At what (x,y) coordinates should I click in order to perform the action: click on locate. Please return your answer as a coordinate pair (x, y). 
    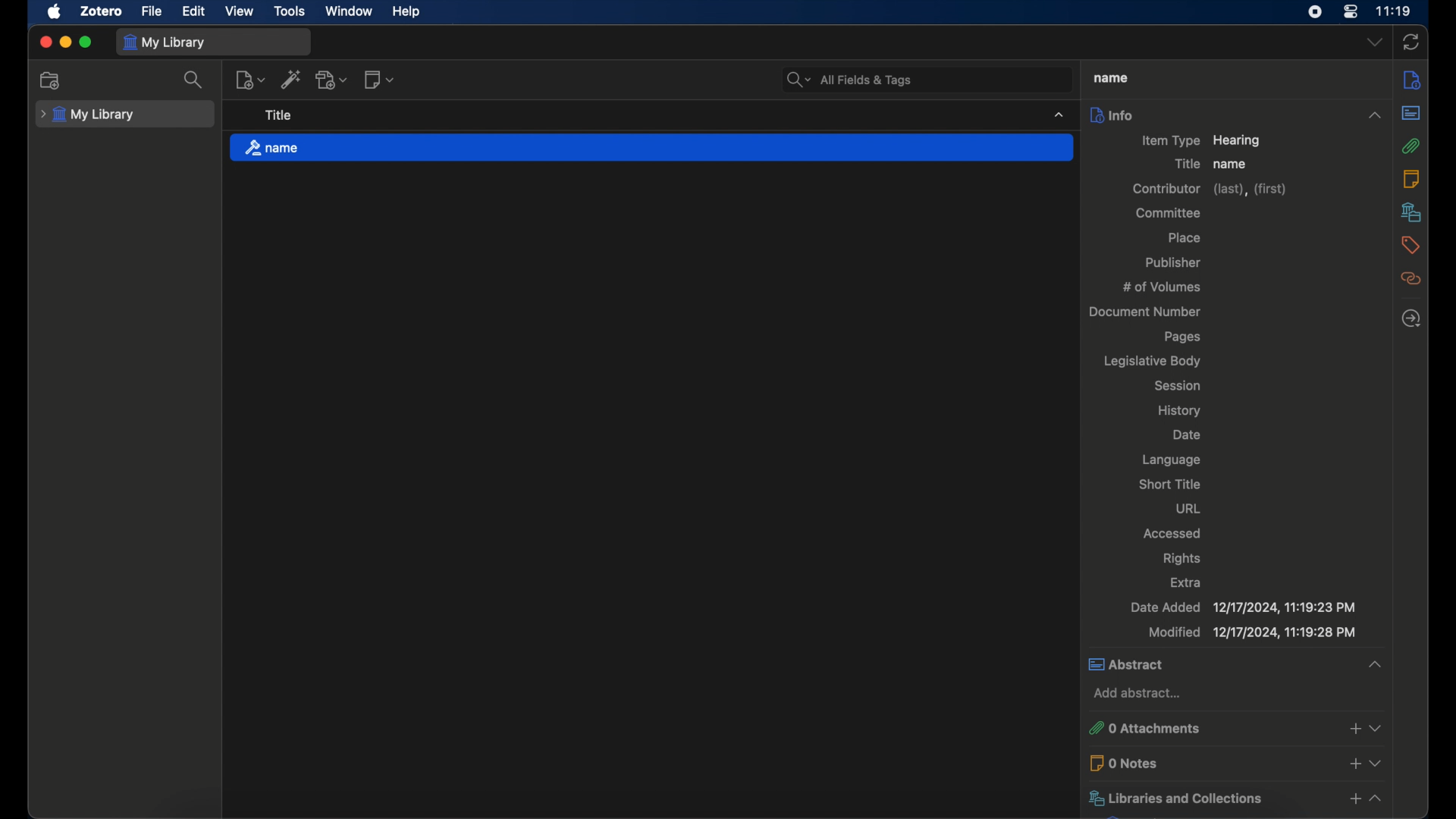
    Looking at the image, I should click on (1411, 318).